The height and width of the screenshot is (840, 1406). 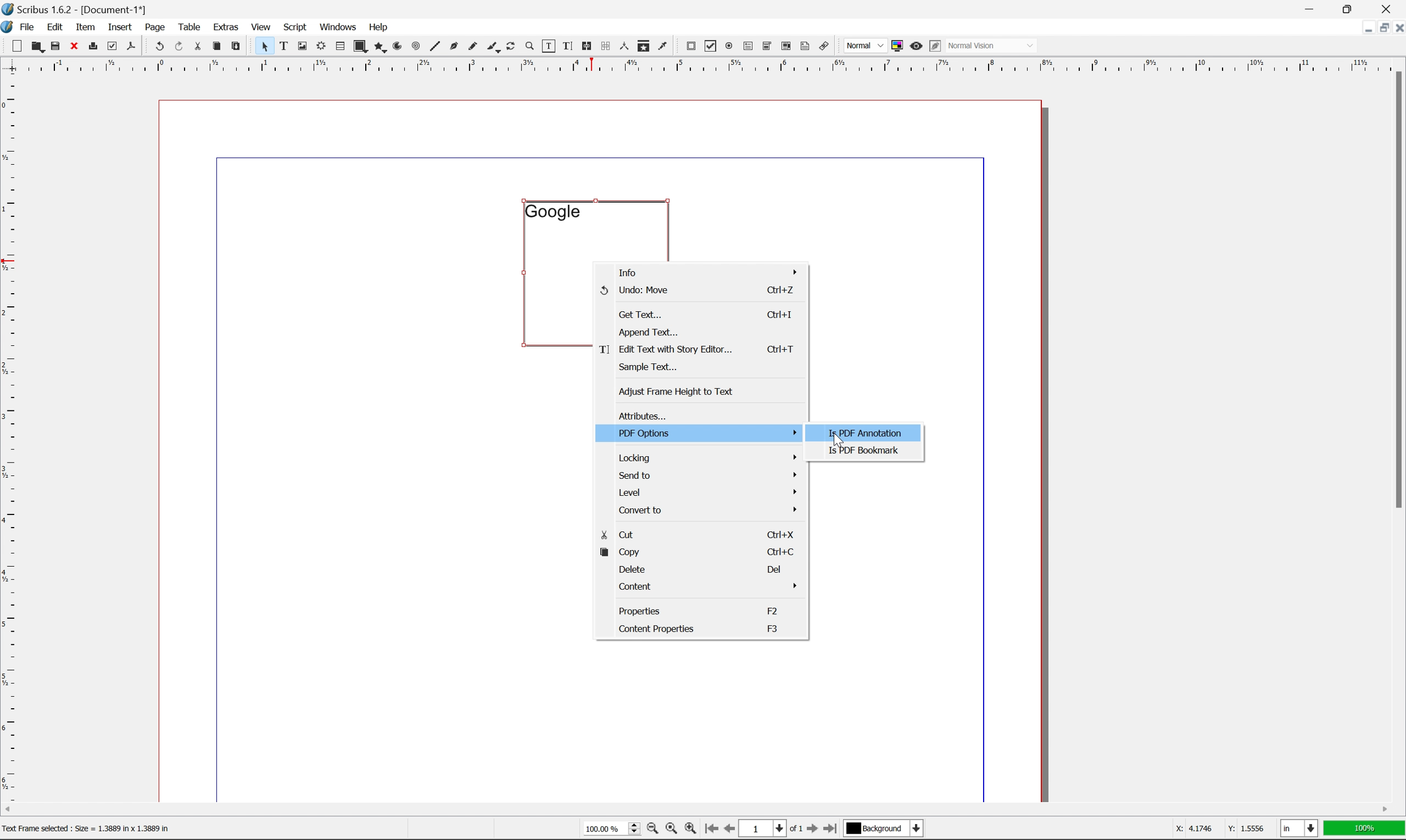 I want to click on undo, so click(x=159, y=47).